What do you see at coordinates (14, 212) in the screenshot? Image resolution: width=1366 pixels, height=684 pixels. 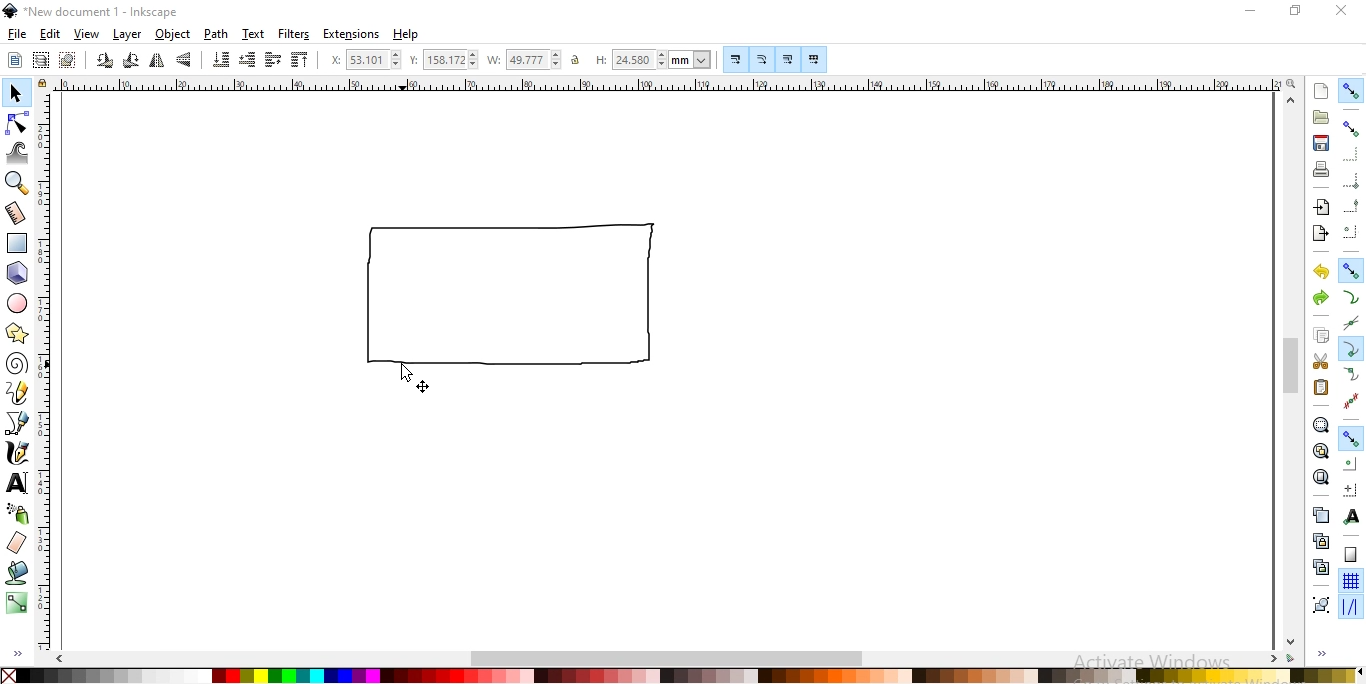 I see `measurement tool` at bounding box center [14, 212].